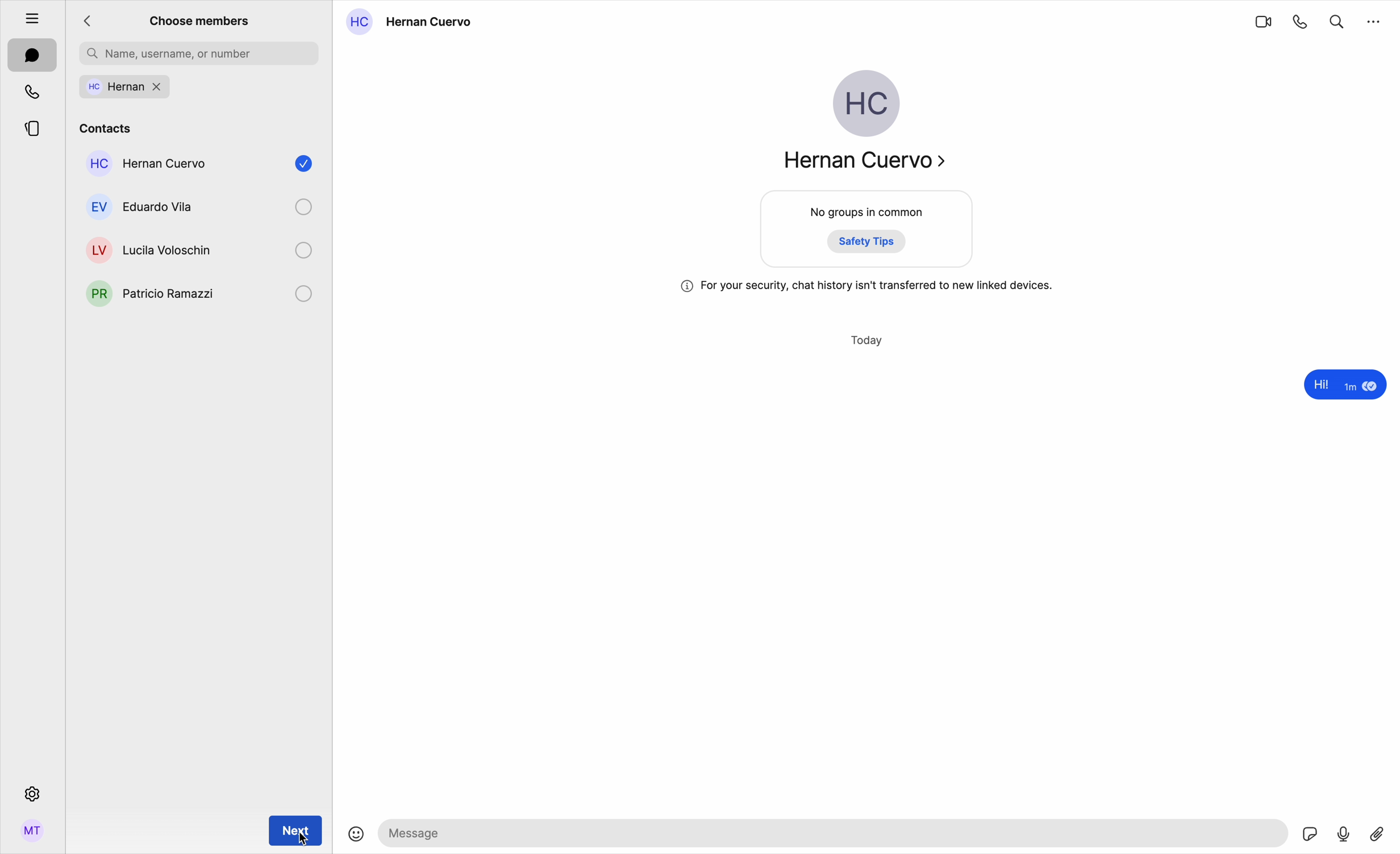 The height and width of the screenshot is (854, 1400). What do you see at coordinates (147, 297) in the screenshot?
I see `Patricio Ramazzi` at bounding box center [147, 297].